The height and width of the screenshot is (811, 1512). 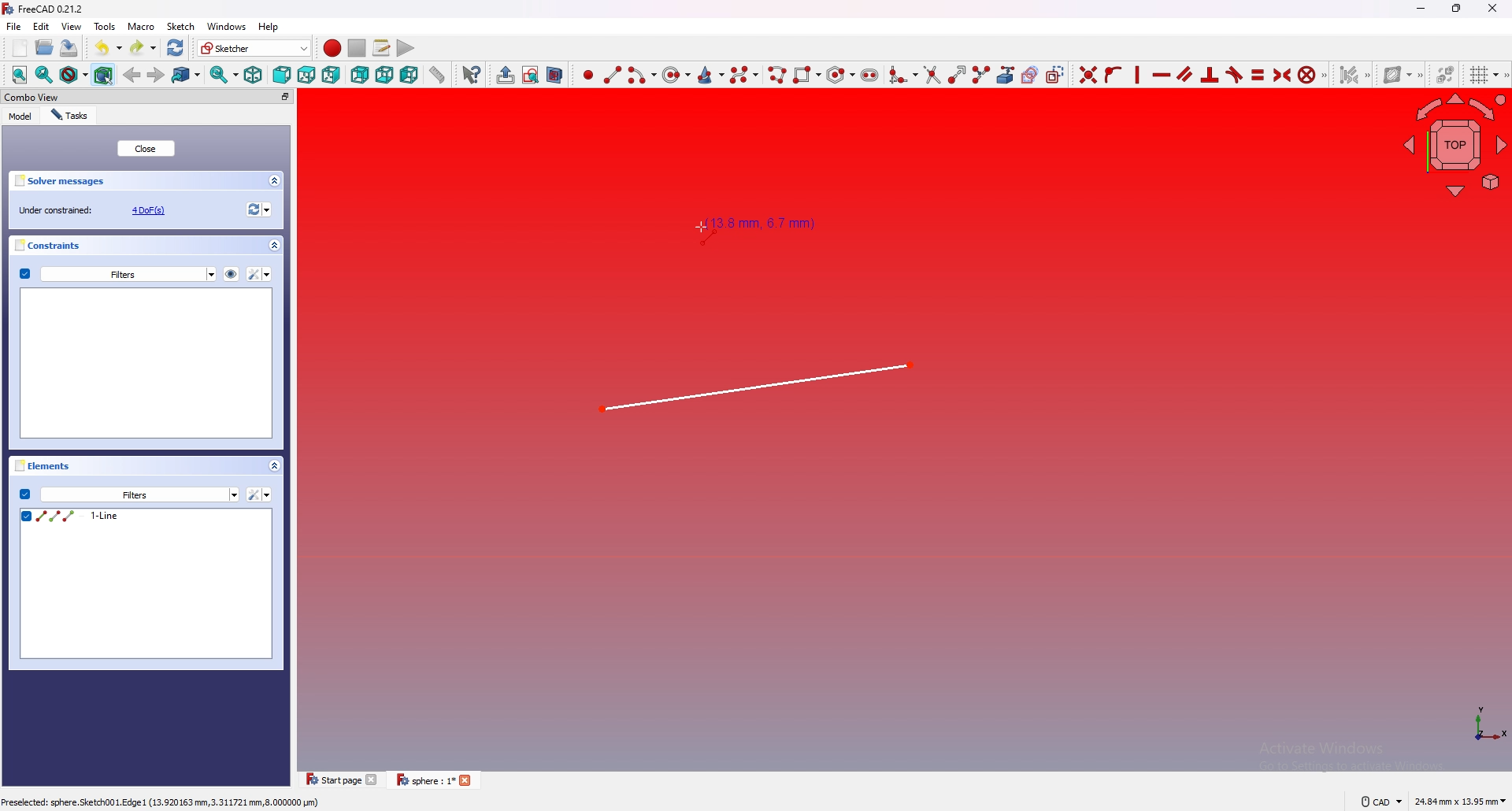 What do you see at coordinates (252, 48) in the screenshot?
I see `Sketcher` at bounding box center [252, 48].